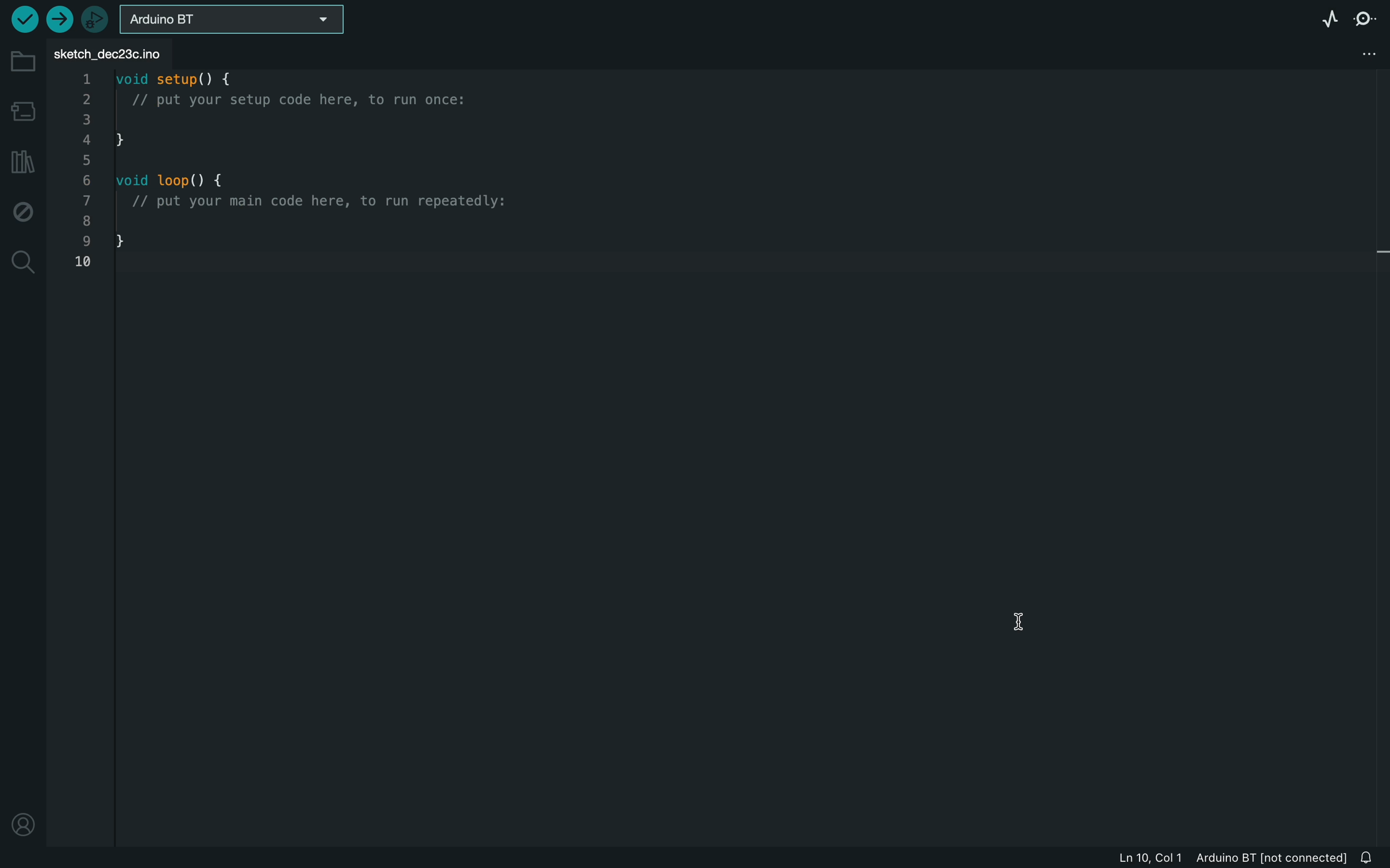 This screenshot has width=1390, height=868. Describe the element at coordinates (1368, 17) in the screenshot. I see `serial monitor` at that location.